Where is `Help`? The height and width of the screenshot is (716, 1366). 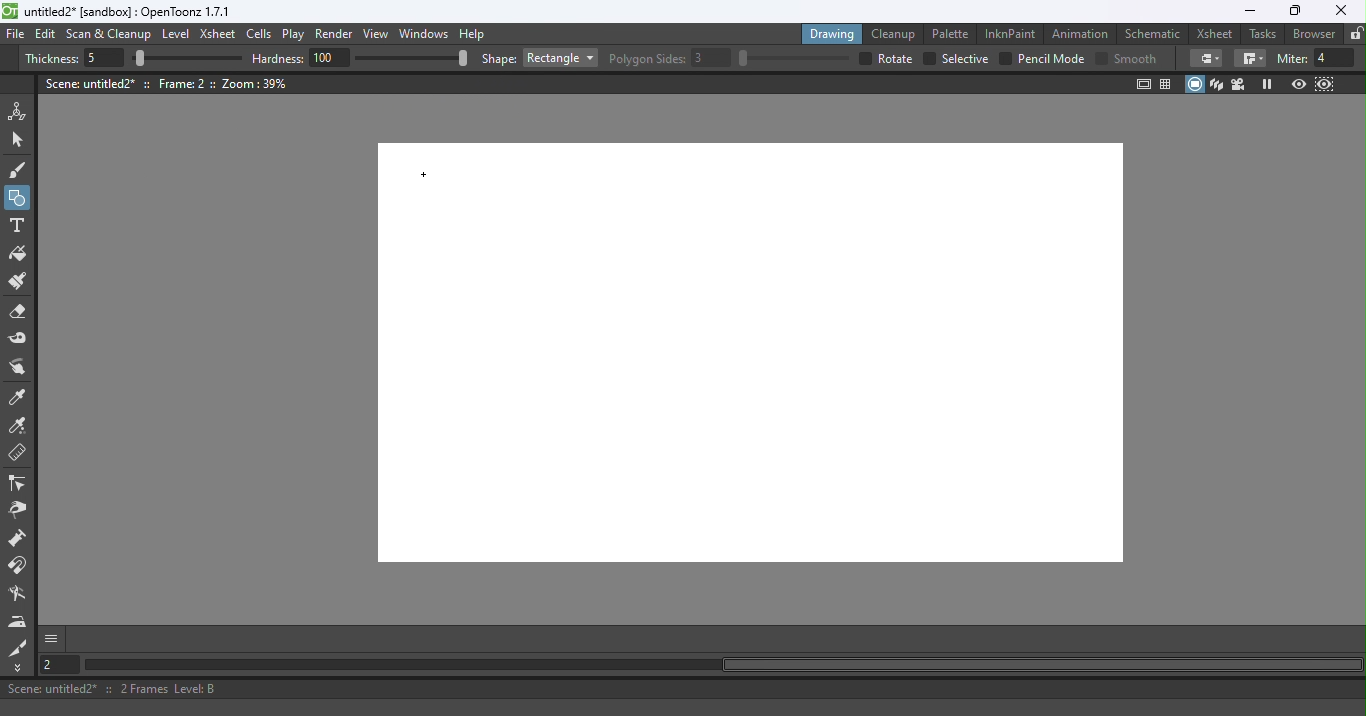
Help is located at coordinates (475, 33).